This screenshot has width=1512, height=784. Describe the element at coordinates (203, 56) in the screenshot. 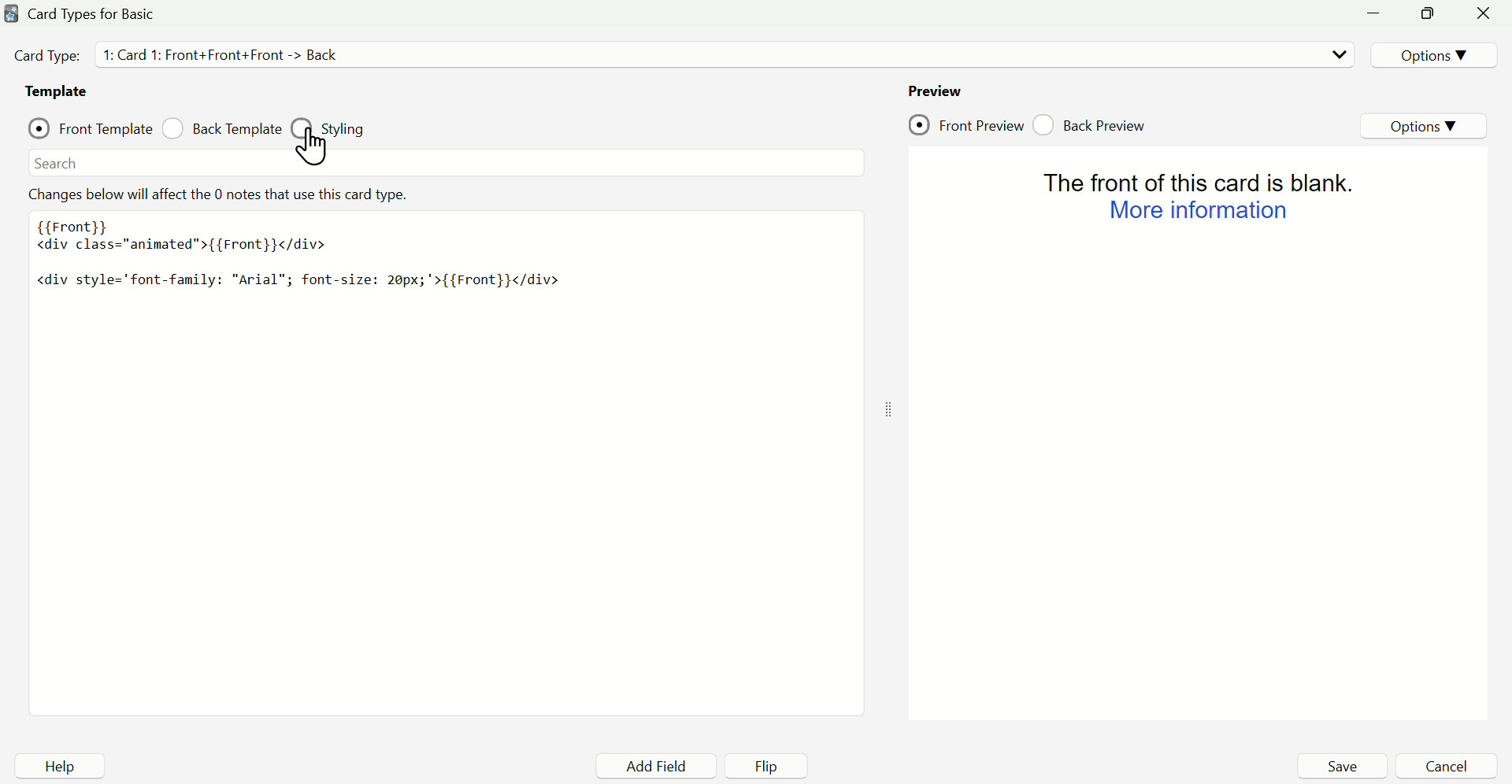

I see `Card Type` at that location.